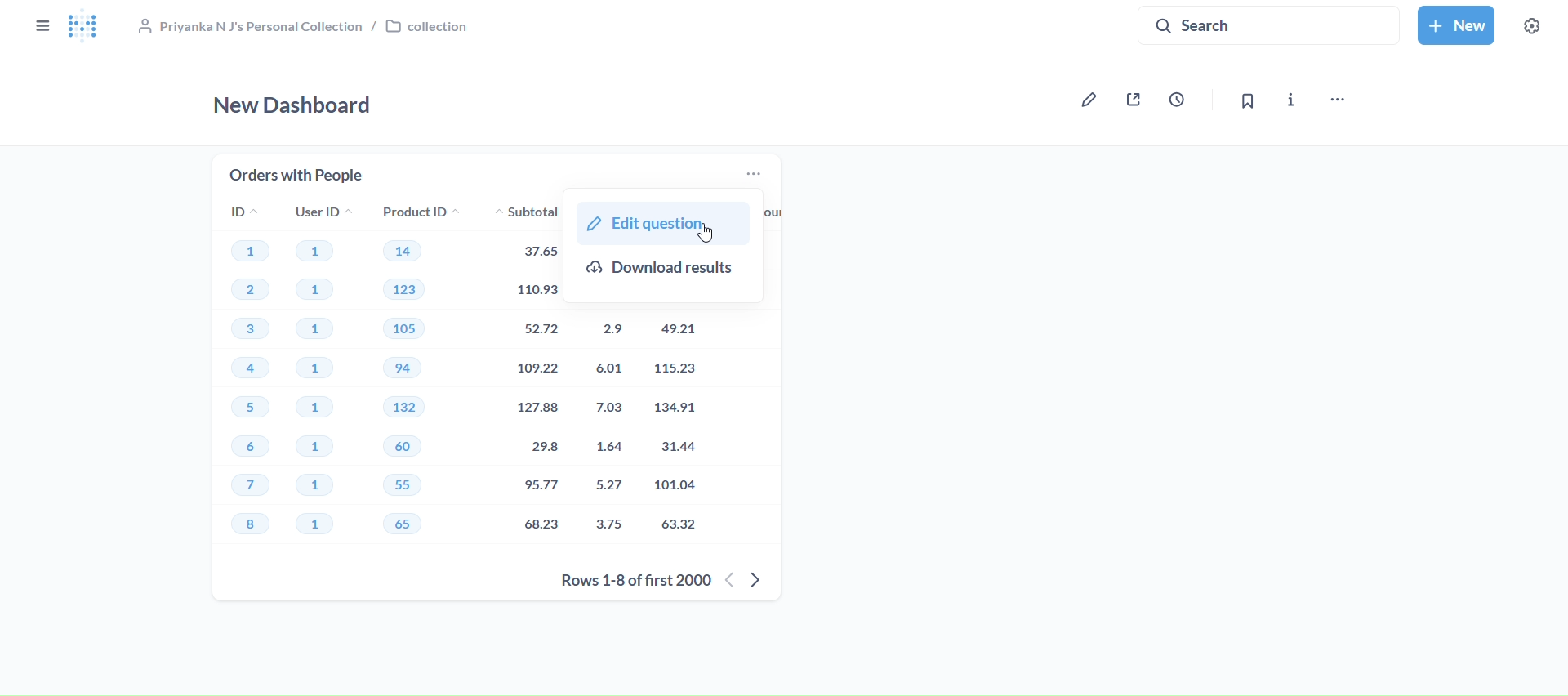 The height and width of the screenshot is (696, 1568). Describe the element at coordinates (731, 580) in the screenshot. I see `previous ` at that location.